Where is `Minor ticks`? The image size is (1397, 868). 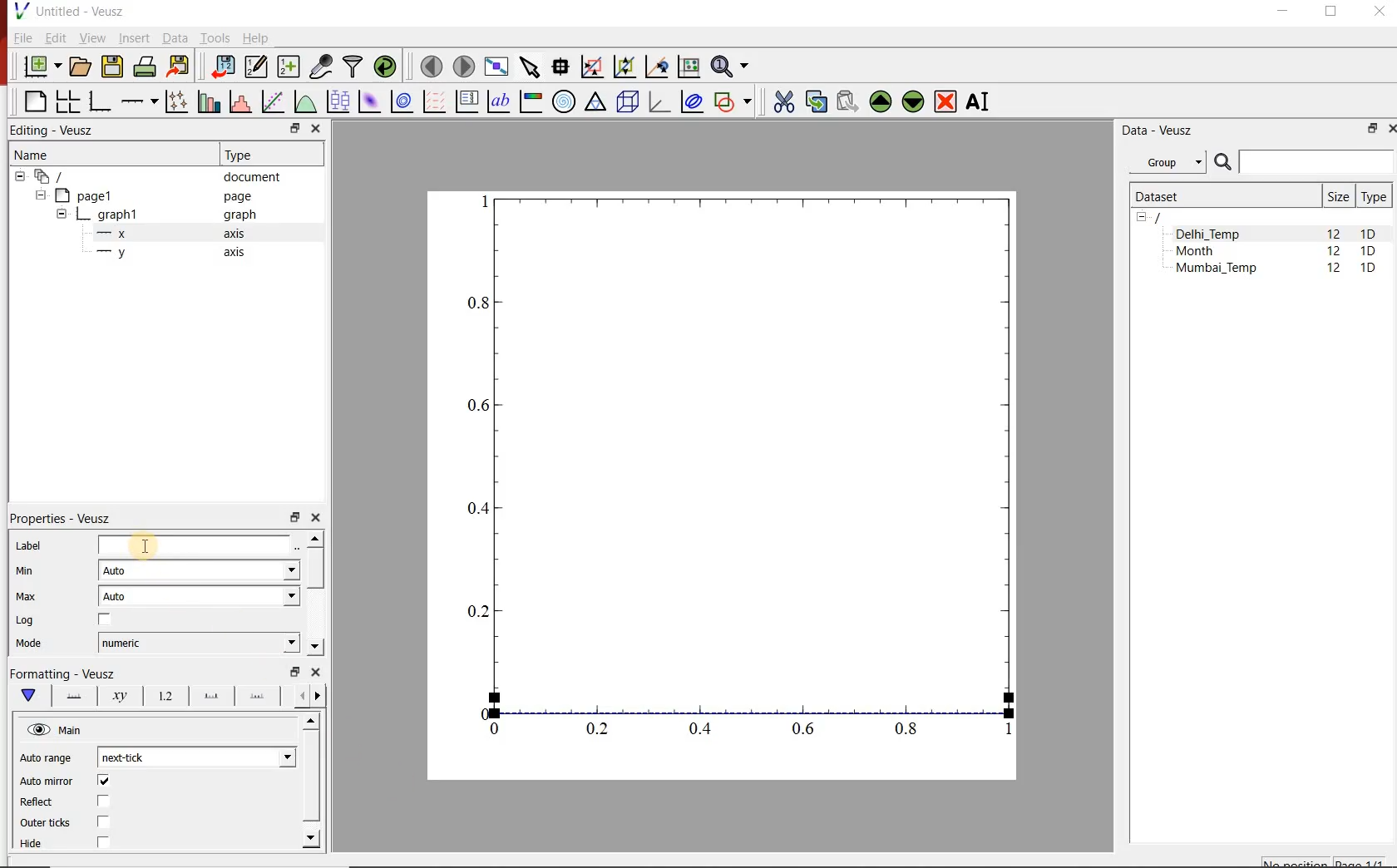 Minor ticks is located at coordinates (259, 696).